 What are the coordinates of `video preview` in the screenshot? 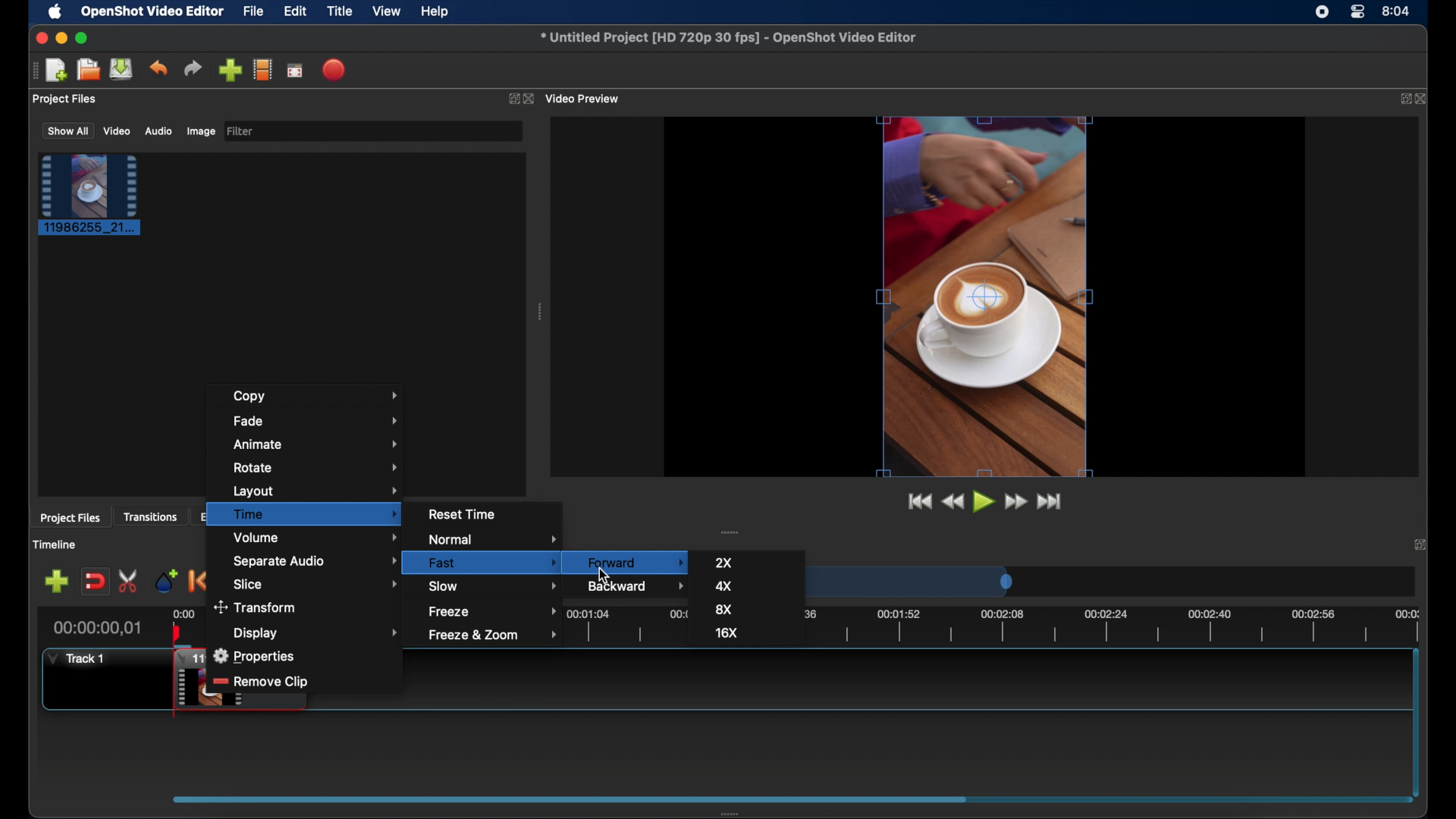 It's located at (986, 297).